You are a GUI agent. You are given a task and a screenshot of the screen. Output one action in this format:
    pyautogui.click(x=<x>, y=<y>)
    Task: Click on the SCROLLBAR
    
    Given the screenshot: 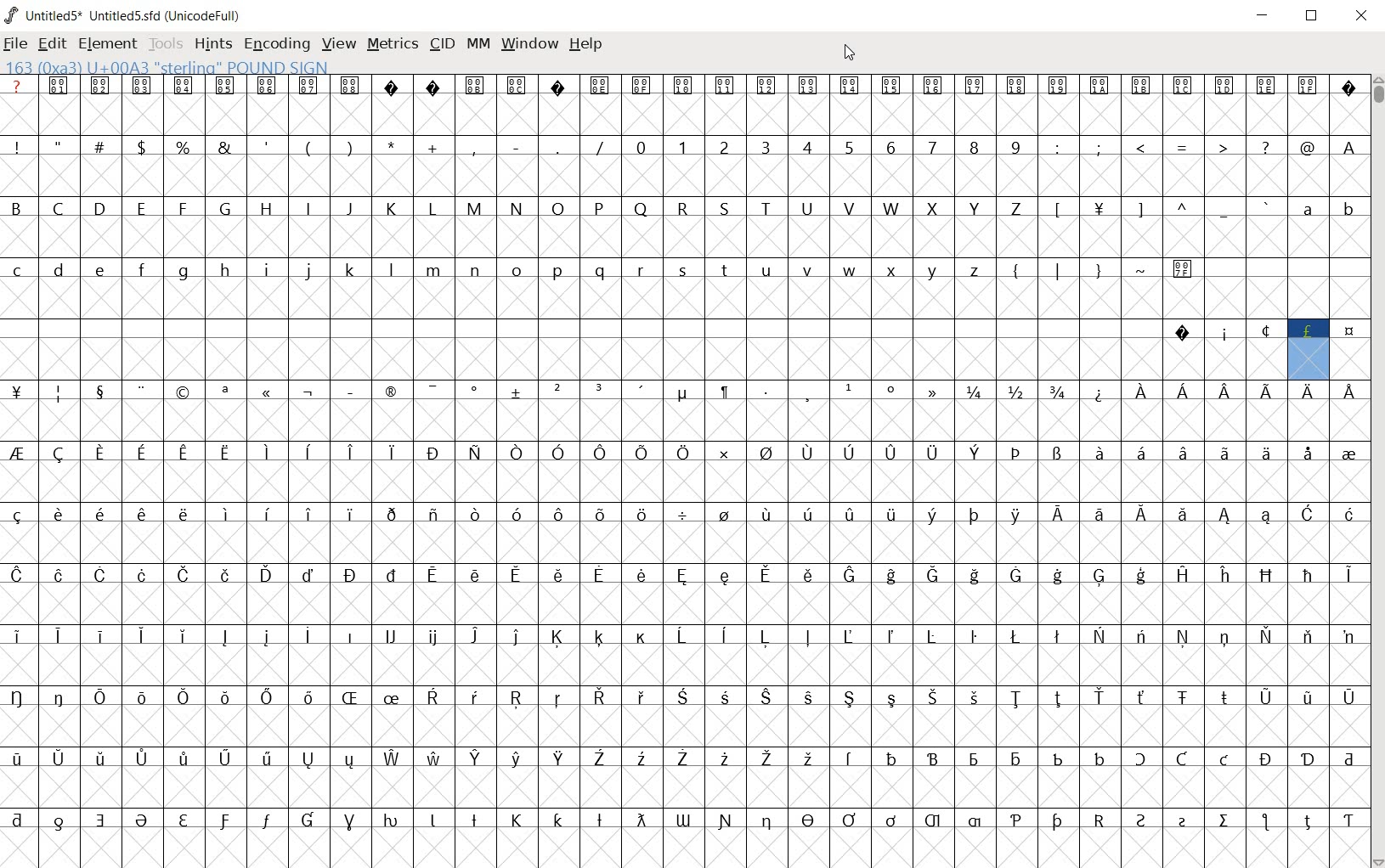 What is the action you would take?
    pyautogui.click(x=1377, y=470)
    